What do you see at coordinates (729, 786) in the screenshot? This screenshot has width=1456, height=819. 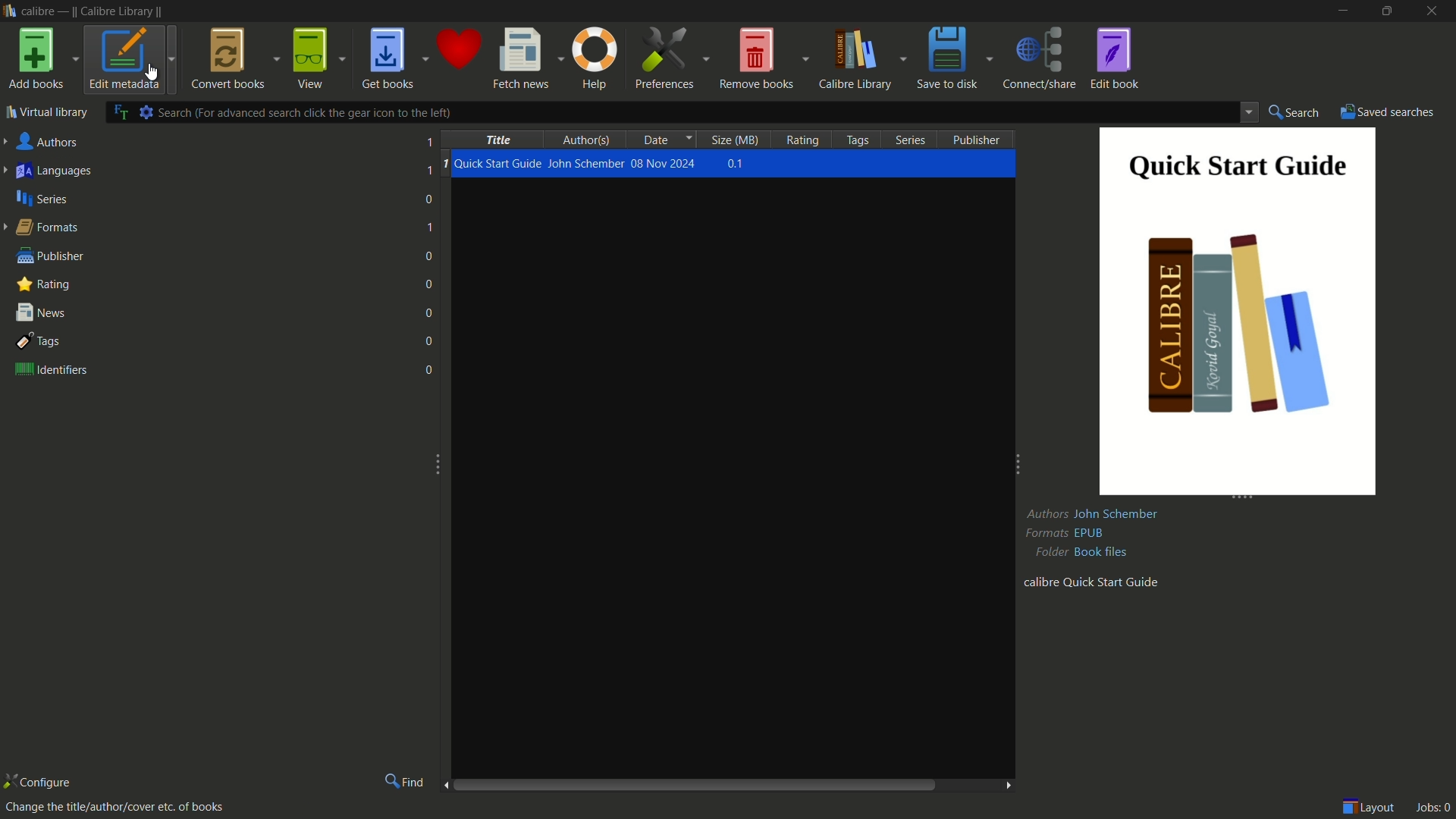 I see `scroll bar` at bounding box center [729, 786].